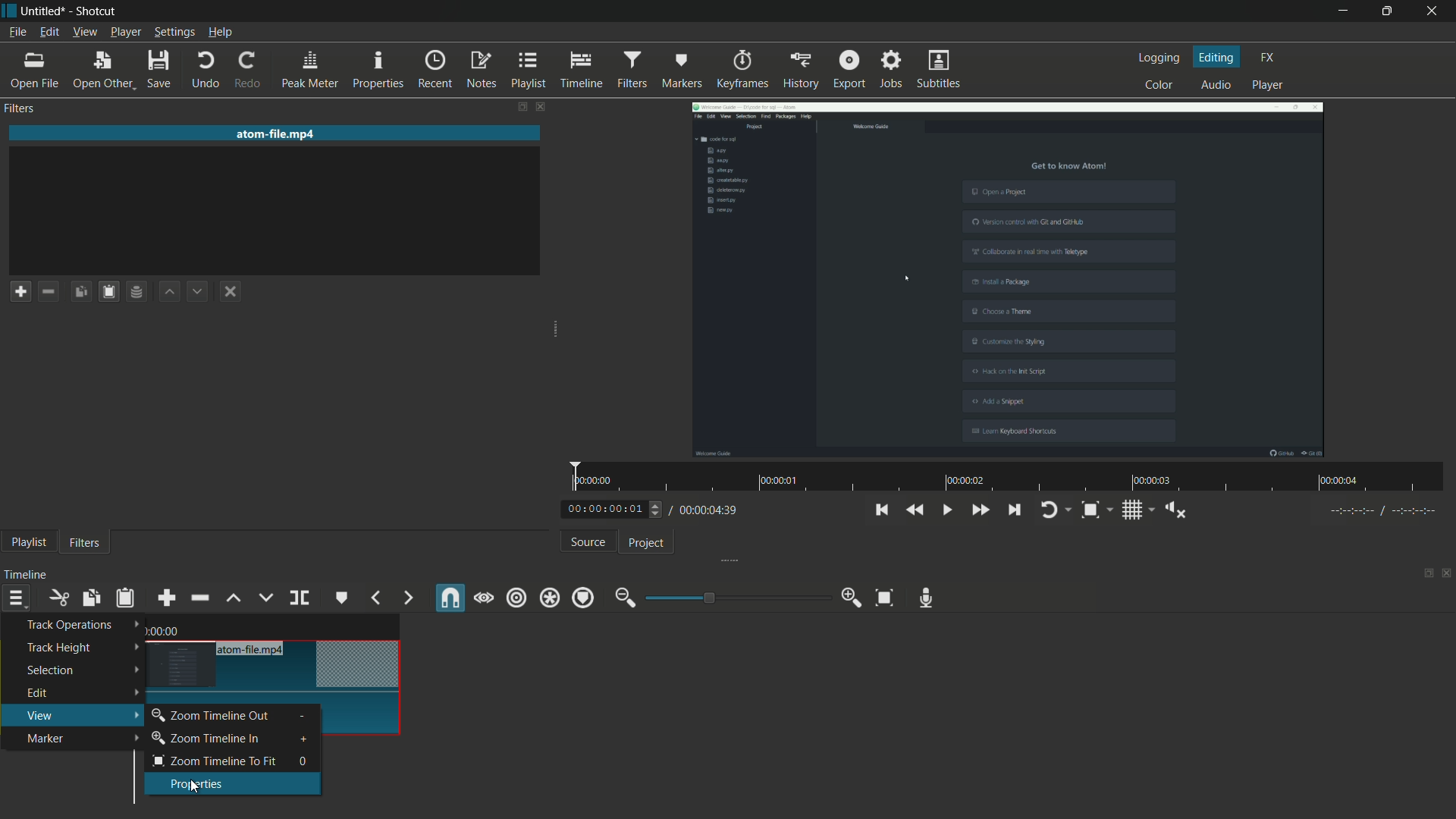 The height and width of the screenshot is (819, 1456). Describe the element at coordinates (80, 714) in the screenshot. I see `view` at that location.